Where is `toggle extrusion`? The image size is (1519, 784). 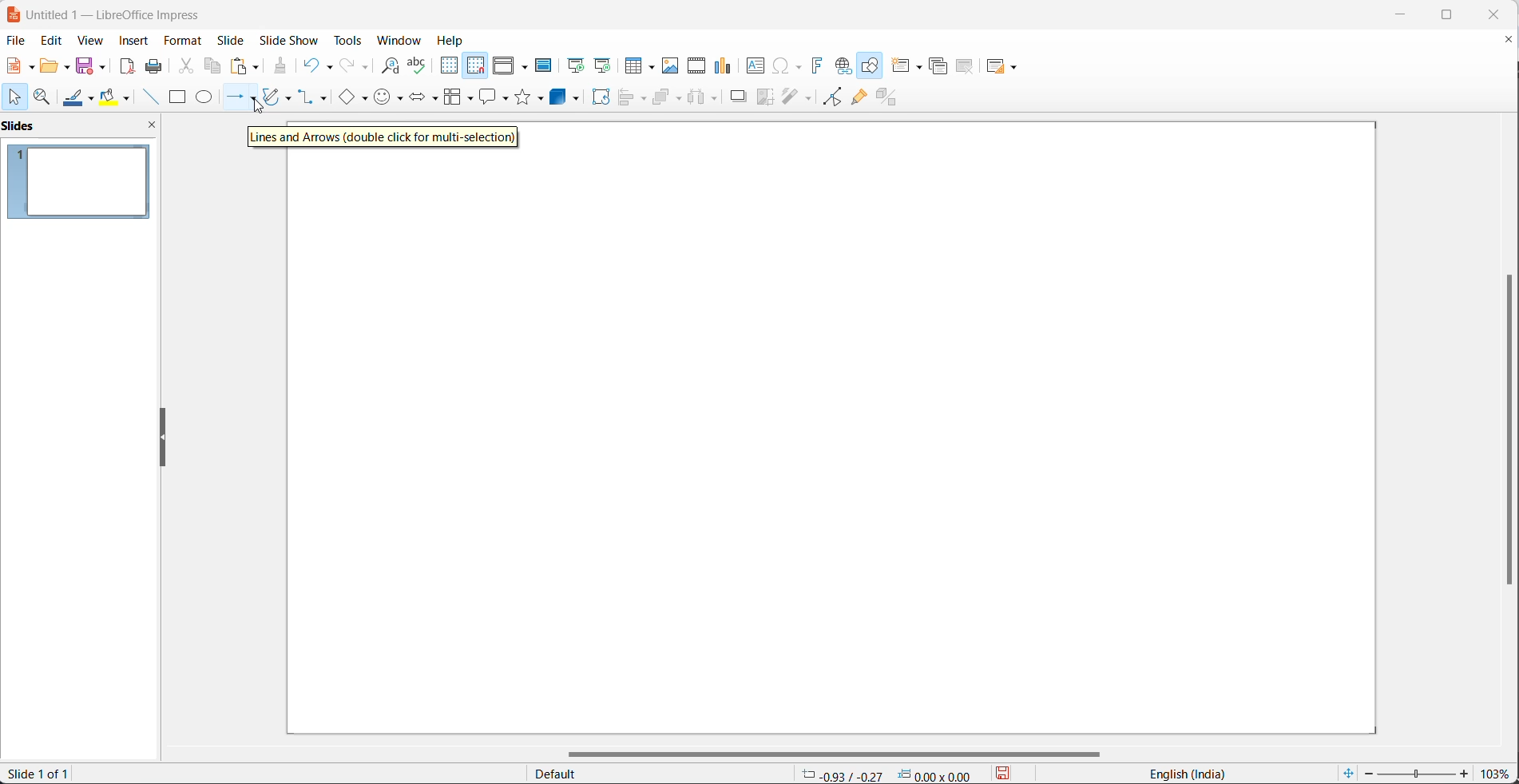
toggle extrusion is located at coordinates (891, 97).